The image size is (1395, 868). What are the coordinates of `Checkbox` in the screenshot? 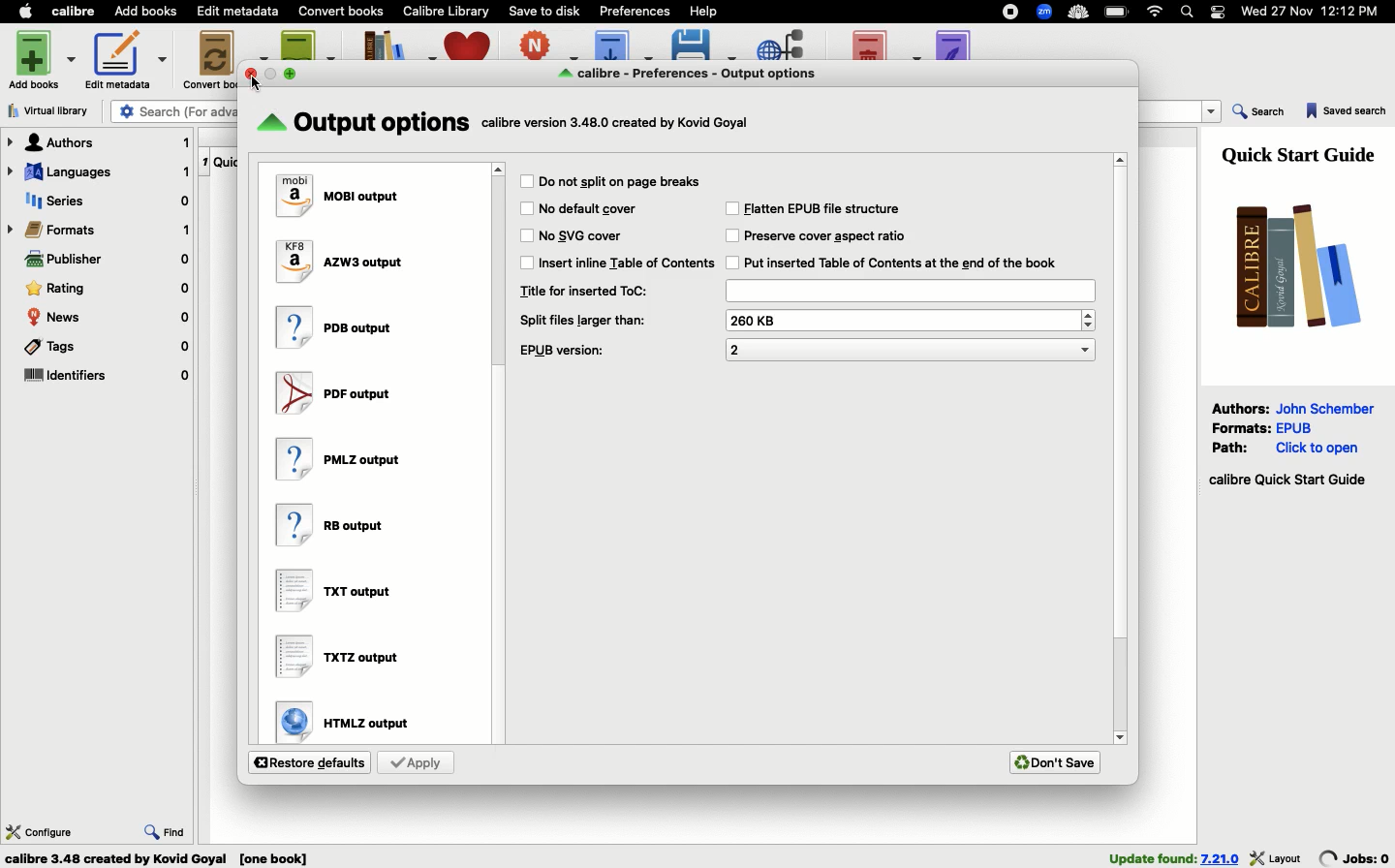 It's located at (526, 181).